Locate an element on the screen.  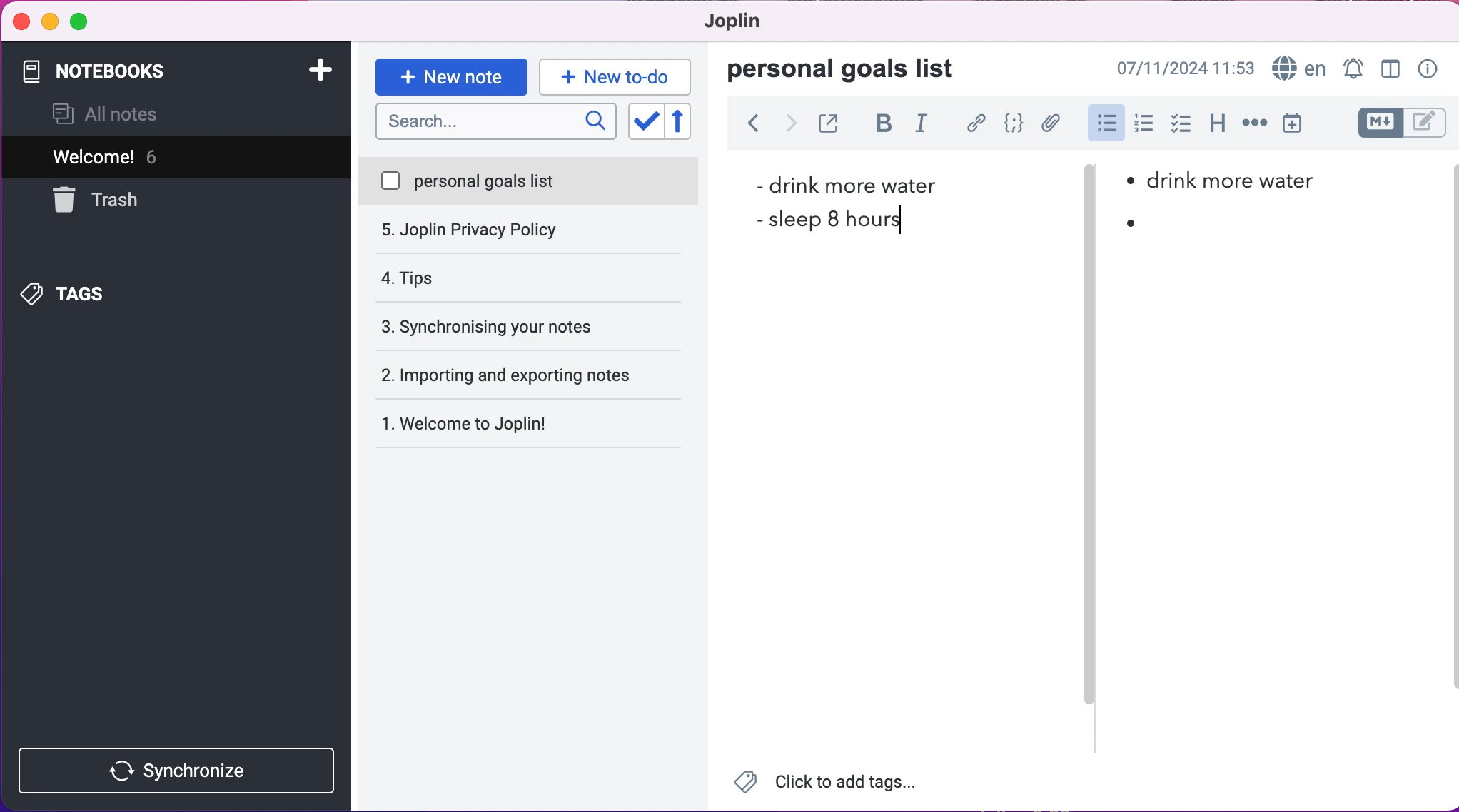
minimize is located at coordinates (49, 22).